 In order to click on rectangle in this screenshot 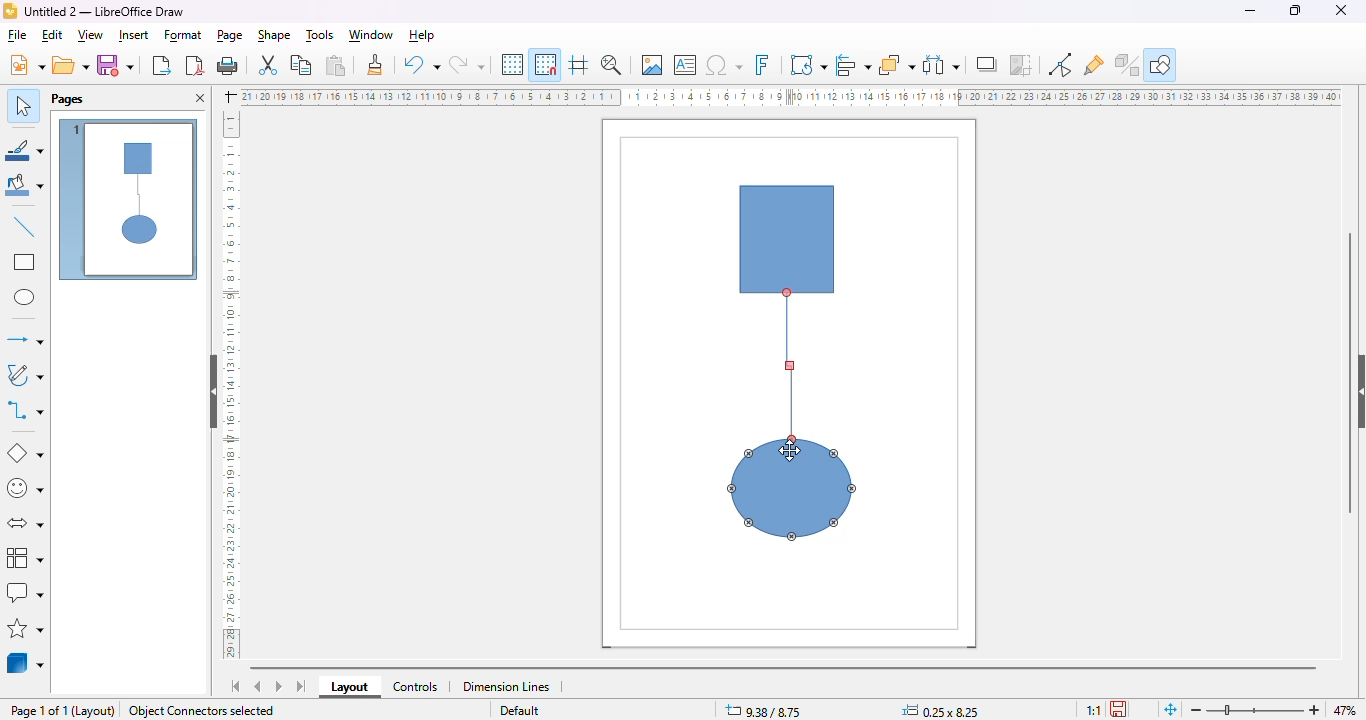, I will do `click(25, 262)`.